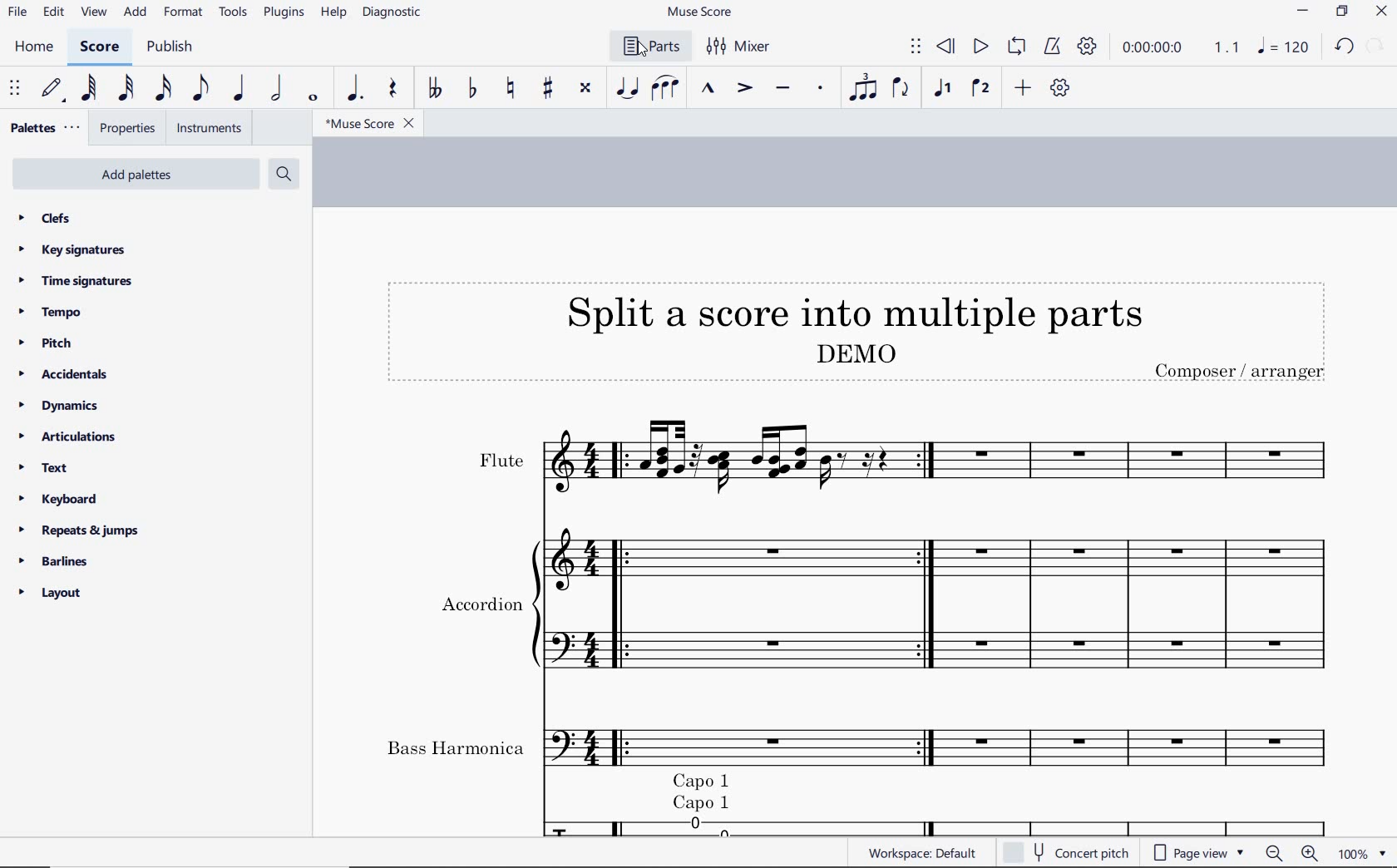  What do you see at coordinates (979, 86) in the screenshot?
I see `voice 2` at bounding box center [979, 86].